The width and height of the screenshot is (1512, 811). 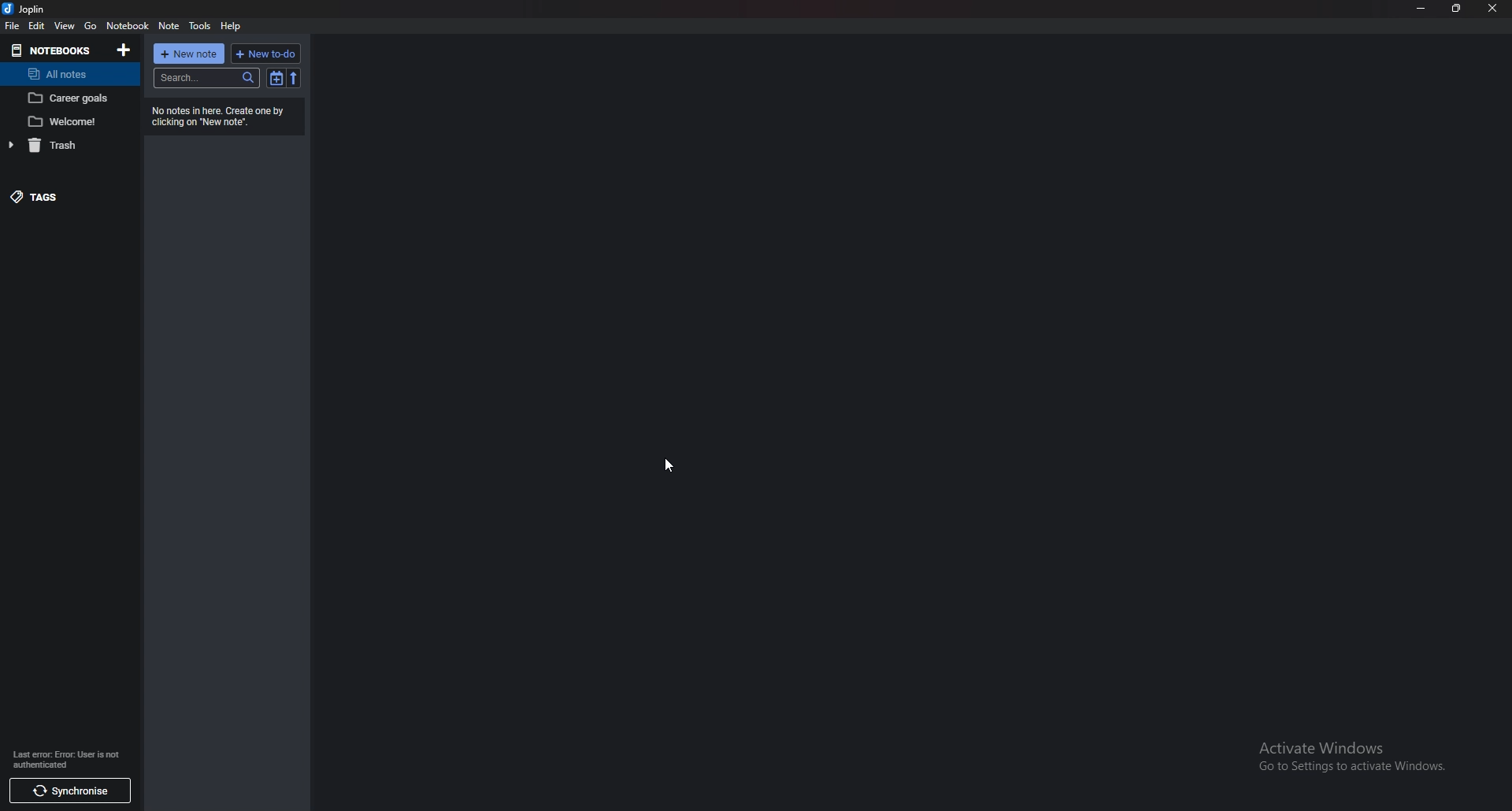 I want to click on info, so click(x=219, y=115).